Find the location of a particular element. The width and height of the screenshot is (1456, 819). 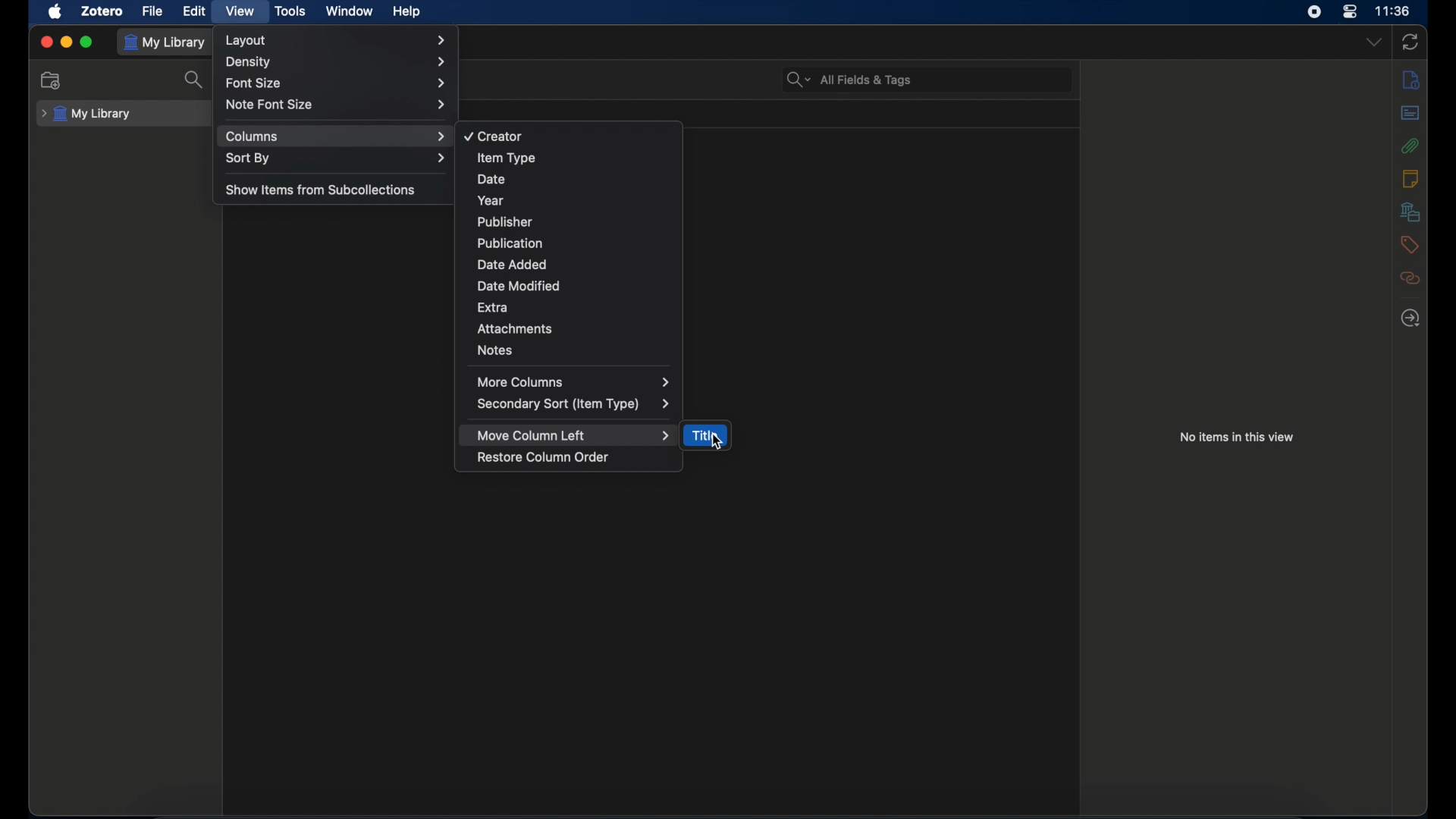

no items in this view is located at coordinates (1238, 437).